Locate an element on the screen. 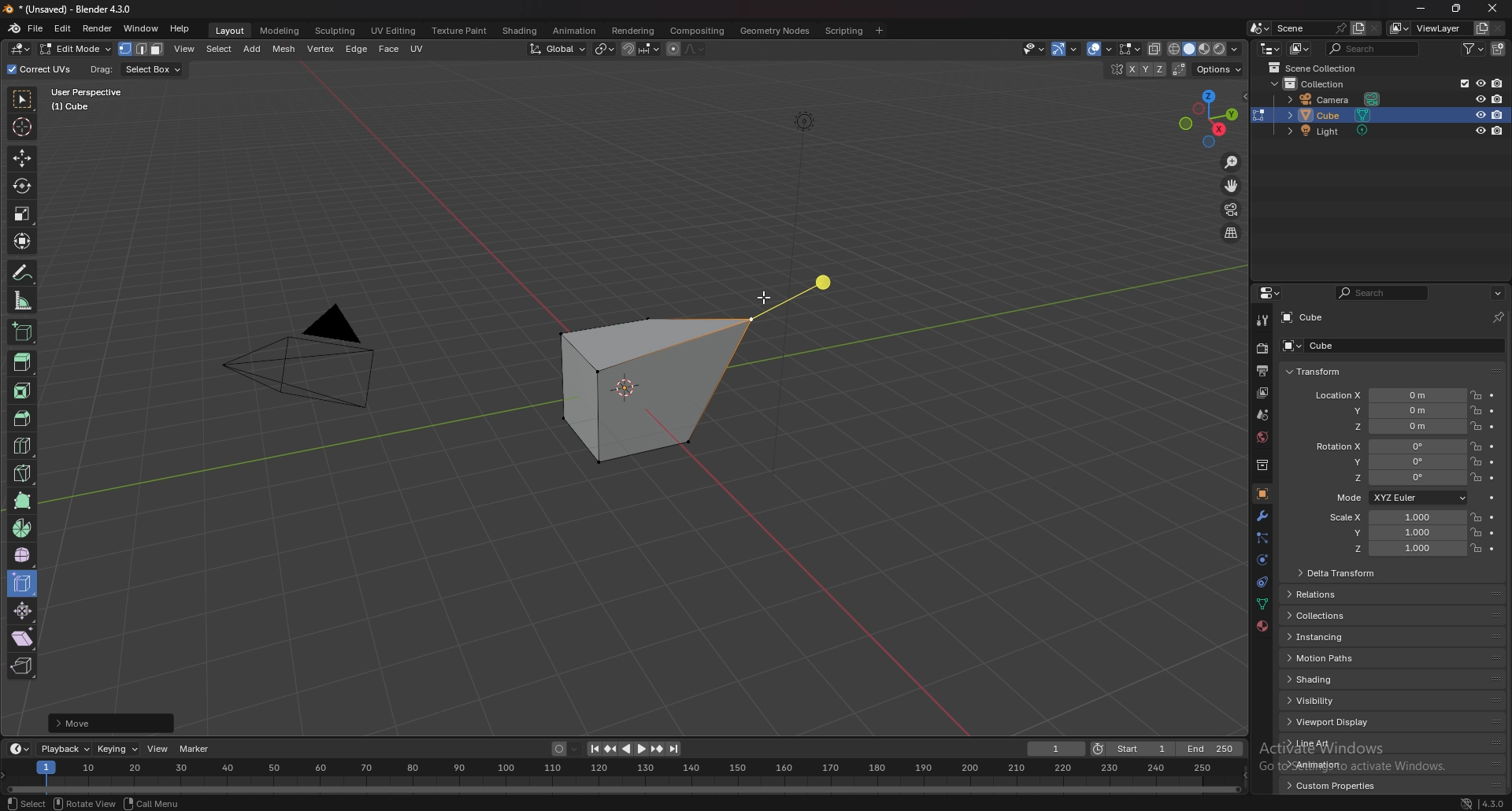 This screenshot has height=811, width=1512. lock is located at coordinates (1476, 394).